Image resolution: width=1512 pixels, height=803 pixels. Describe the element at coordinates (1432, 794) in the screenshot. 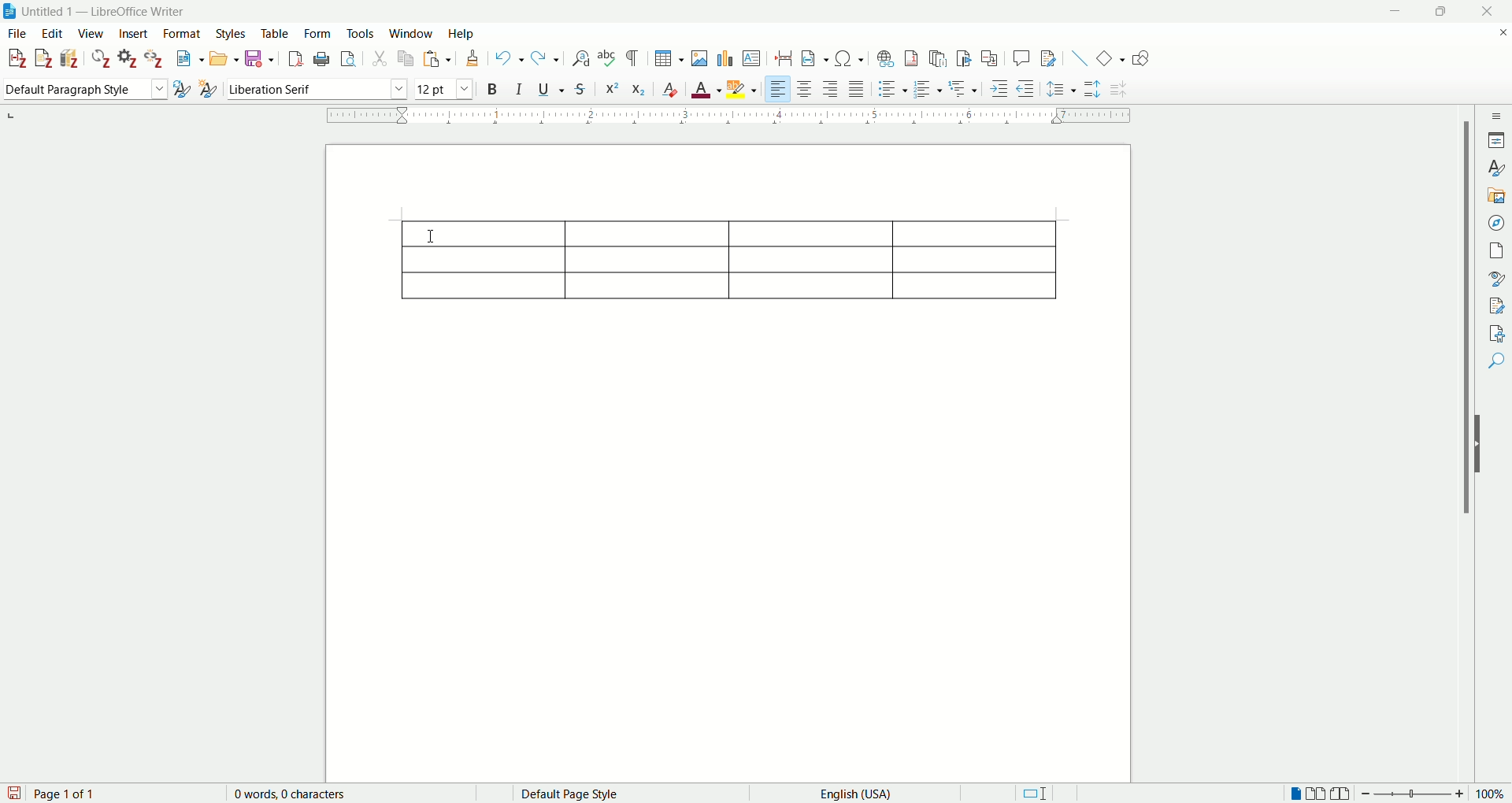

I see `zoom factor` at that location.